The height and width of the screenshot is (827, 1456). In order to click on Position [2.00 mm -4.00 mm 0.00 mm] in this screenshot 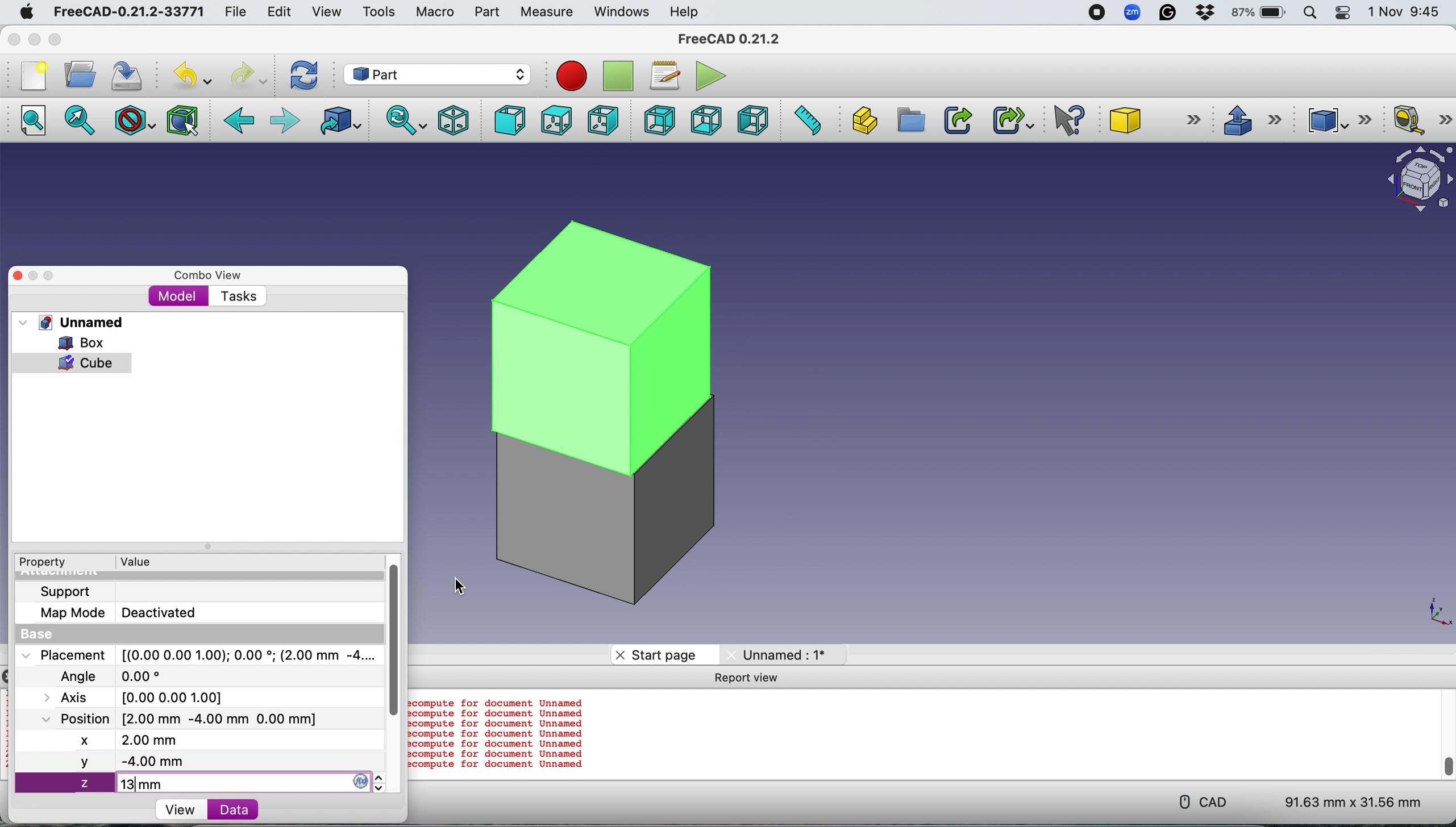, I will do `click(176, 720)`.